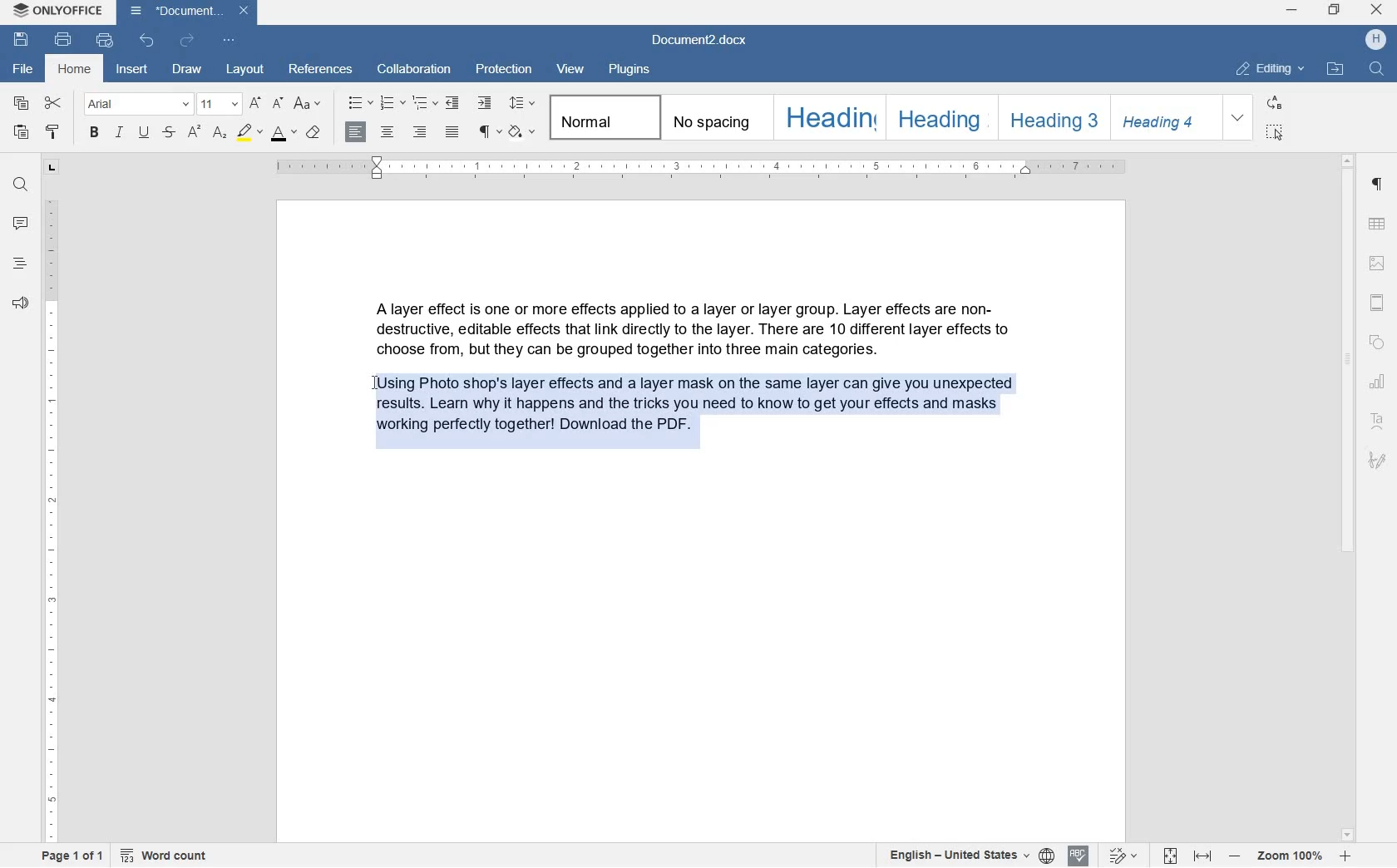 The width and height of the screenshot is (1397, 868). I want to click on CURSOR POSITION, so click(376, 387).